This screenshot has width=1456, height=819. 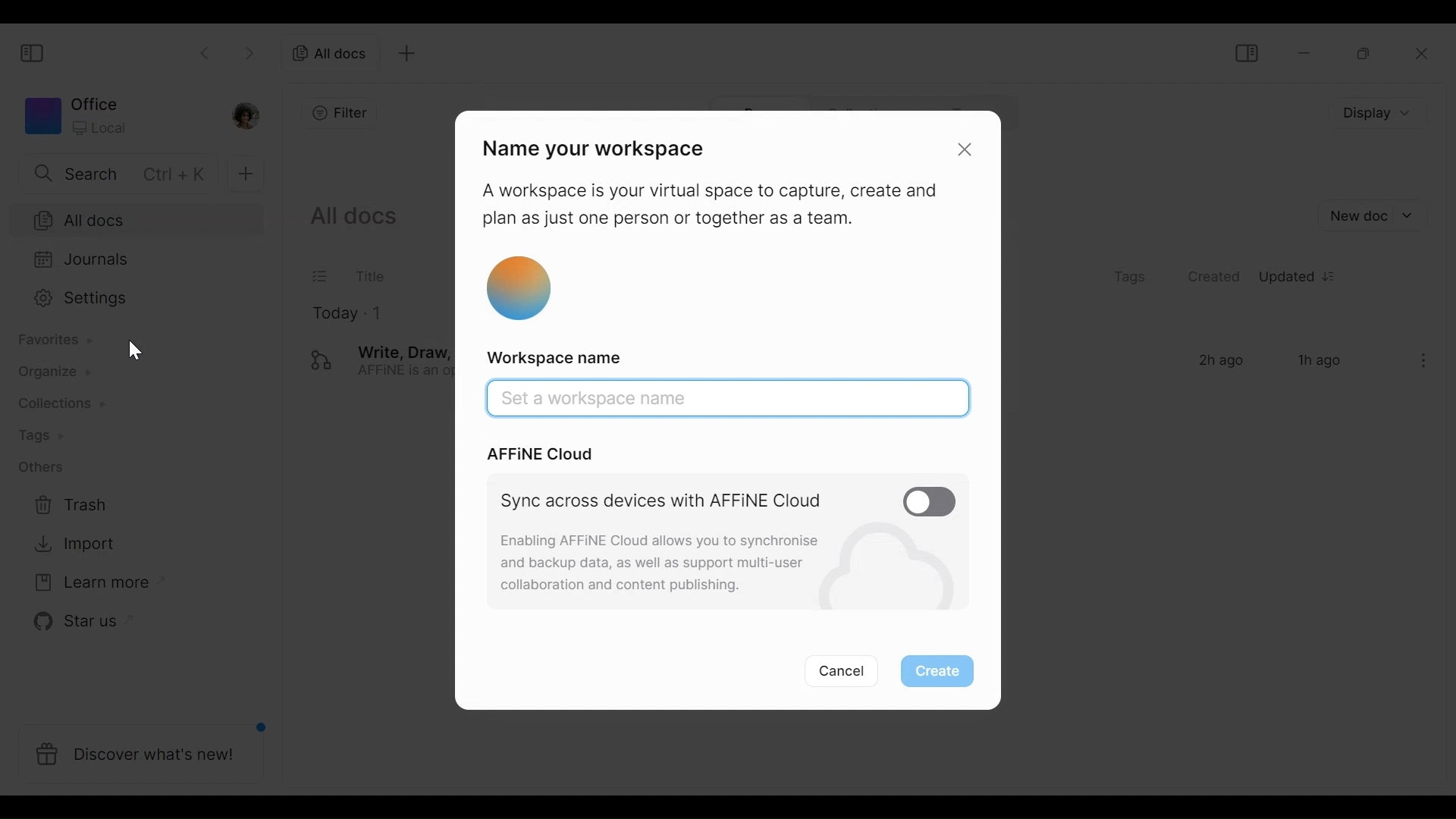 I want to click on Create, so click(x=936, y=671).